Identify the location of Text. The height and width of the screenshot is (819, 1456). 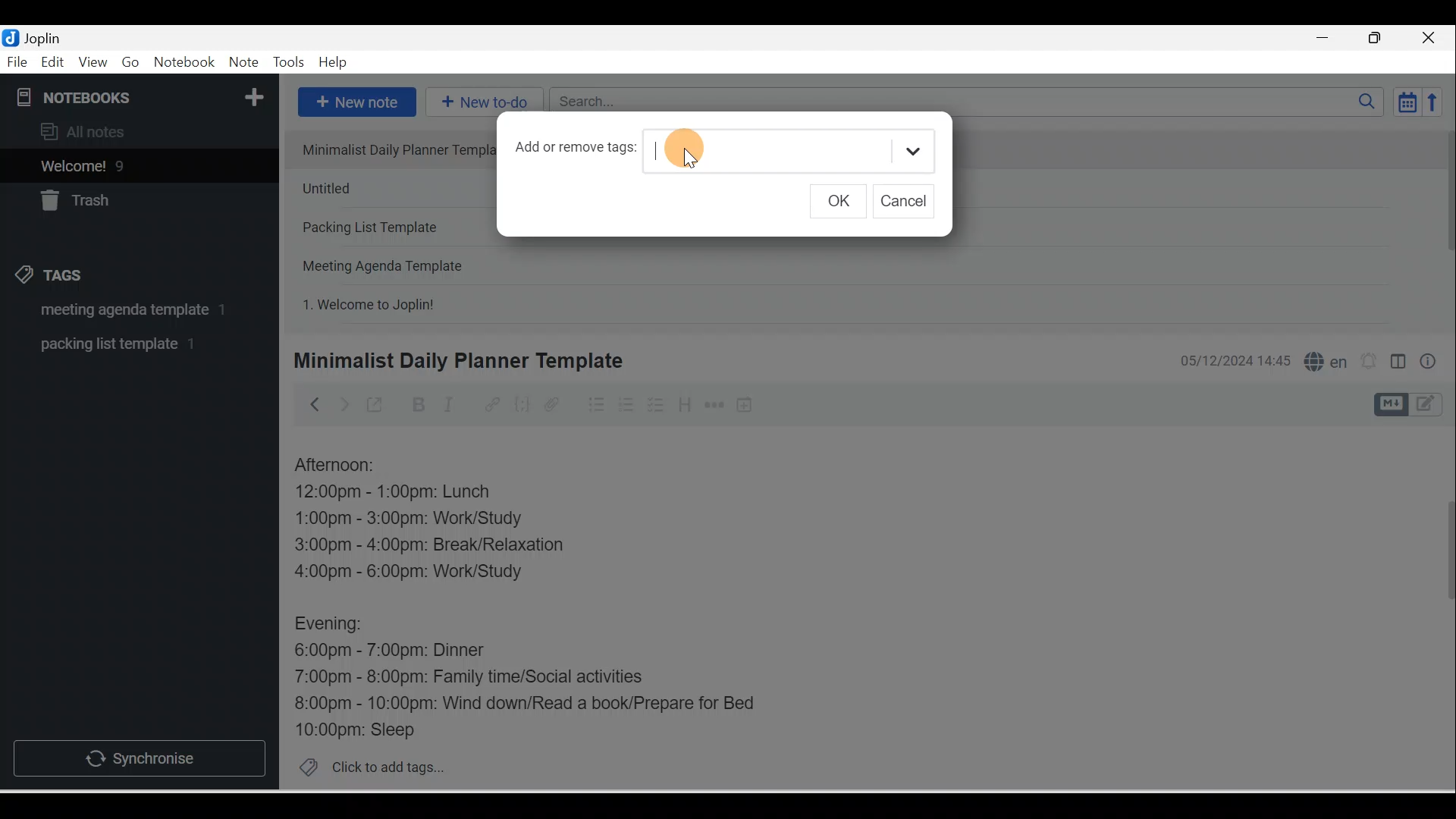
(797, 149).